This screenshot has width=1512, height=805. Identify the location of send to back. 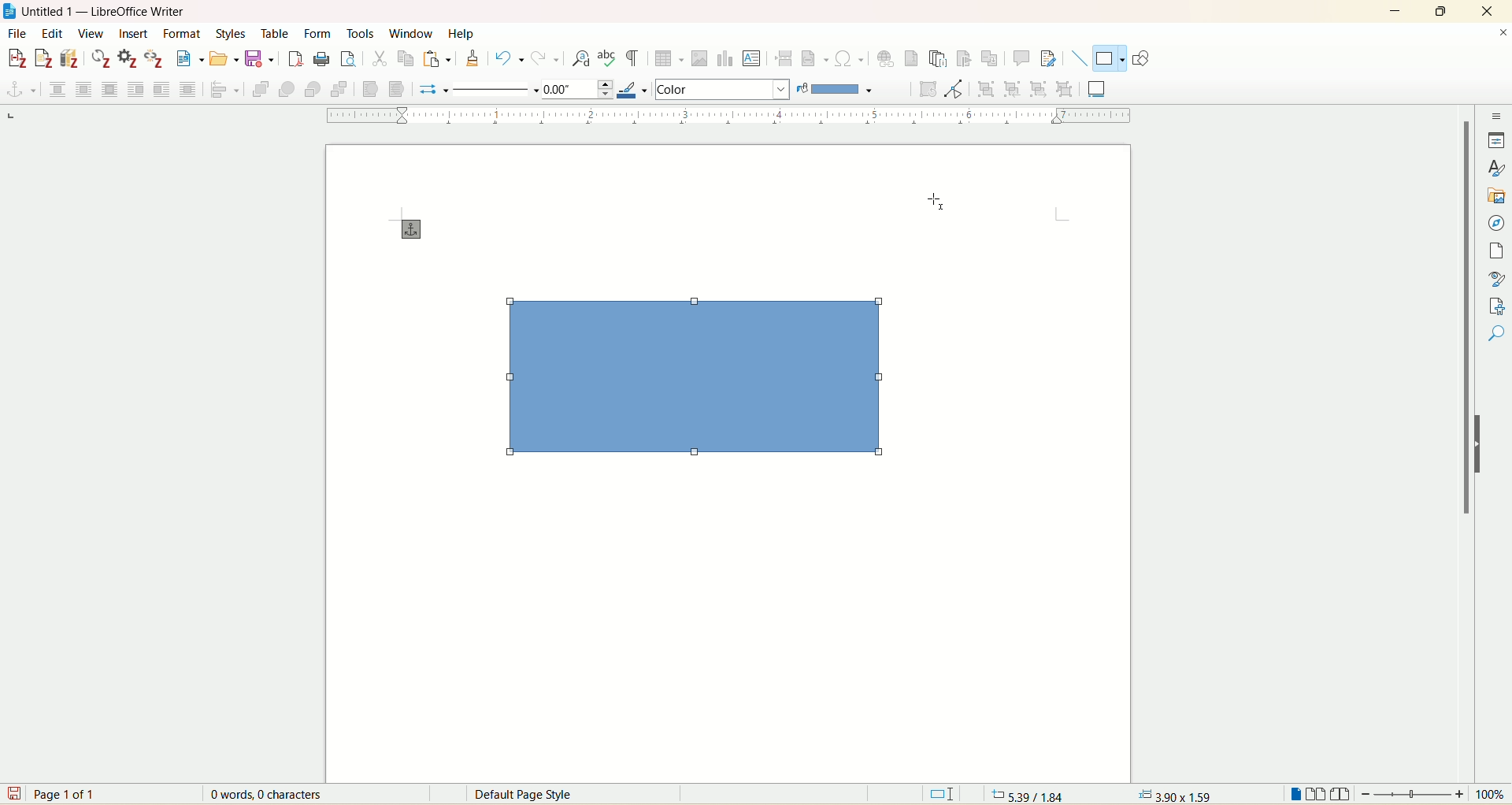
(338, 91).